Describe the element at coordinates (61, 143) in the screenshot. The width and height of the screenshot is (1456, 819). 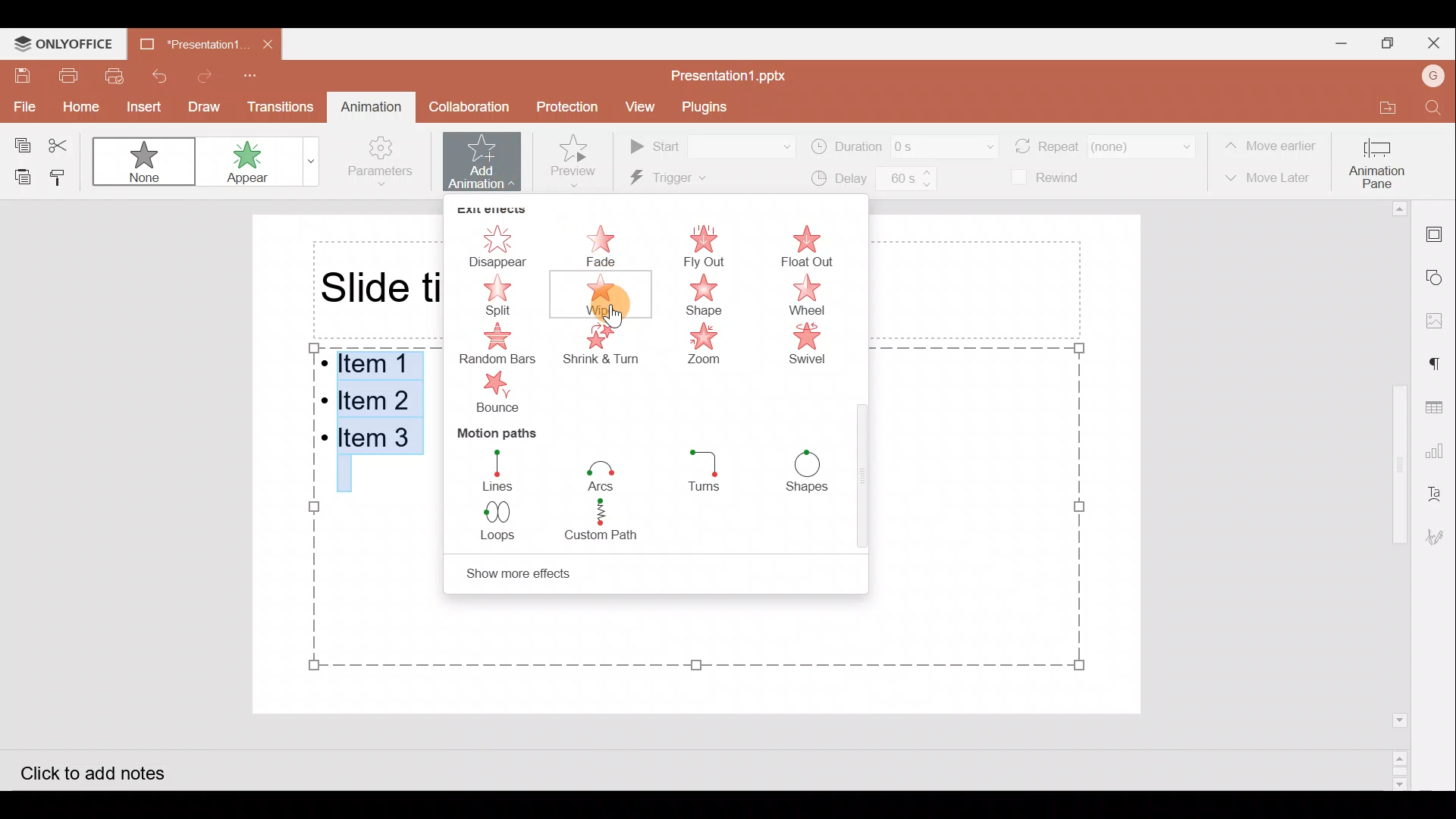
I see `Cut` at that location.